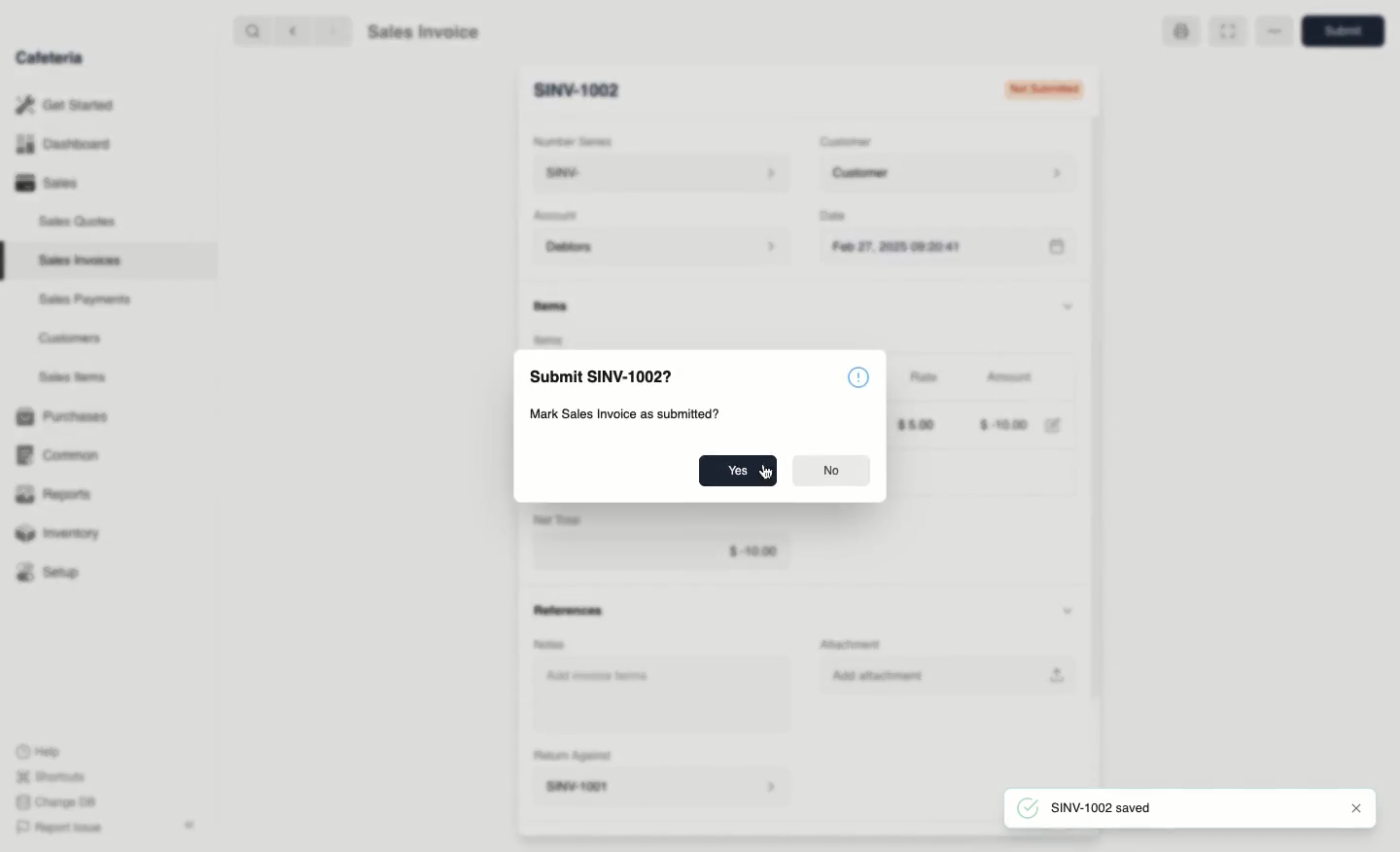  Describe the element at coordinates (554, 305) in the screenshot. I see `Items` at that location.